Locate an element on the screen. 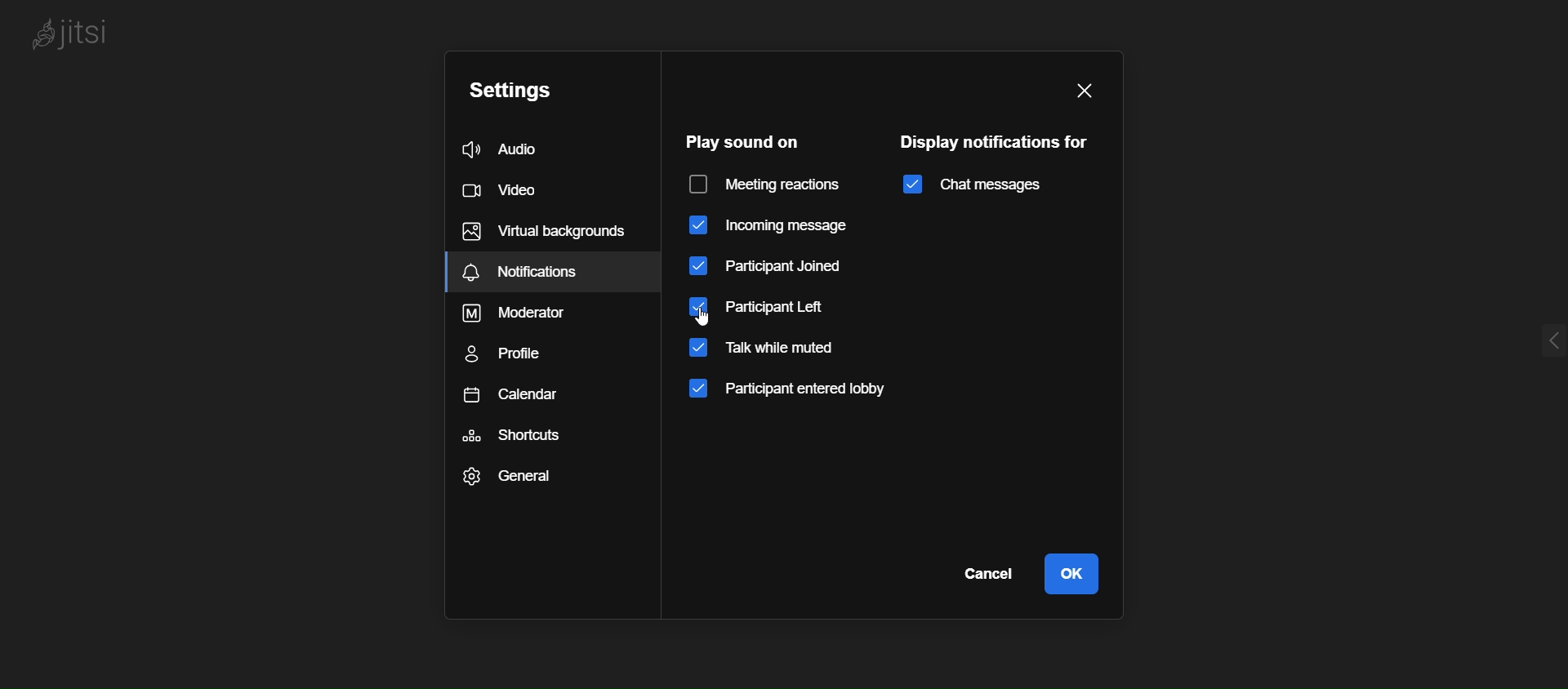 This screenshot has width=1568, height=689. calendar is located at coordinates (529, 400).